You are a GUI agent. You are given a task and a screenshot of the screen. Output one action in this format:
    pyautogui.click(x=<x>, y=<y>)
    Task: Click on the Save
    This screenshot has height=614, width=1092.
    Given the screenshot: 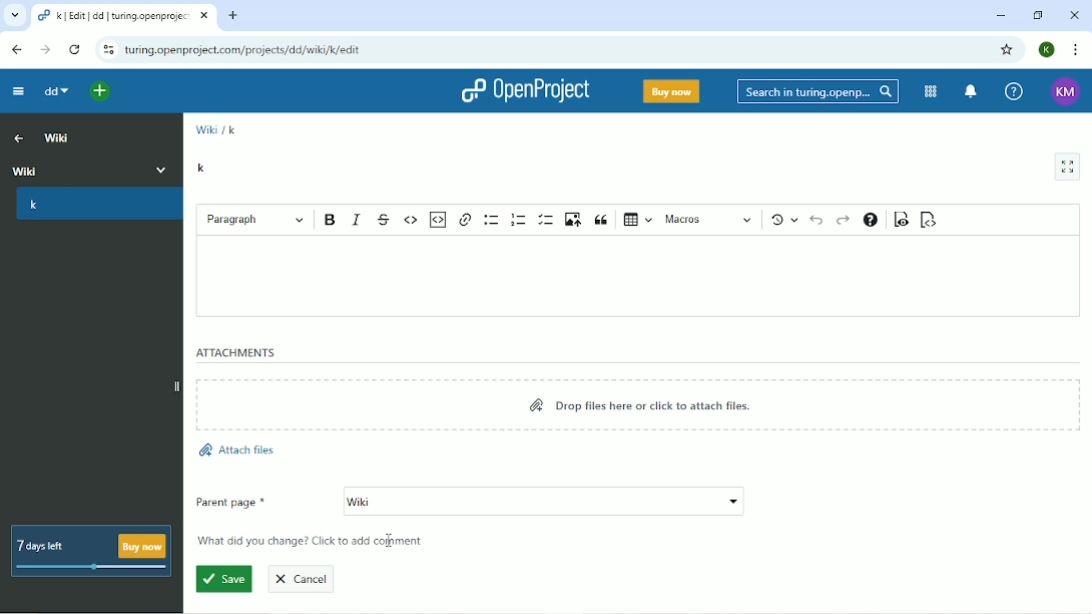 What is the action you would take?
    pyautogui.click(x=223, y=580)
    